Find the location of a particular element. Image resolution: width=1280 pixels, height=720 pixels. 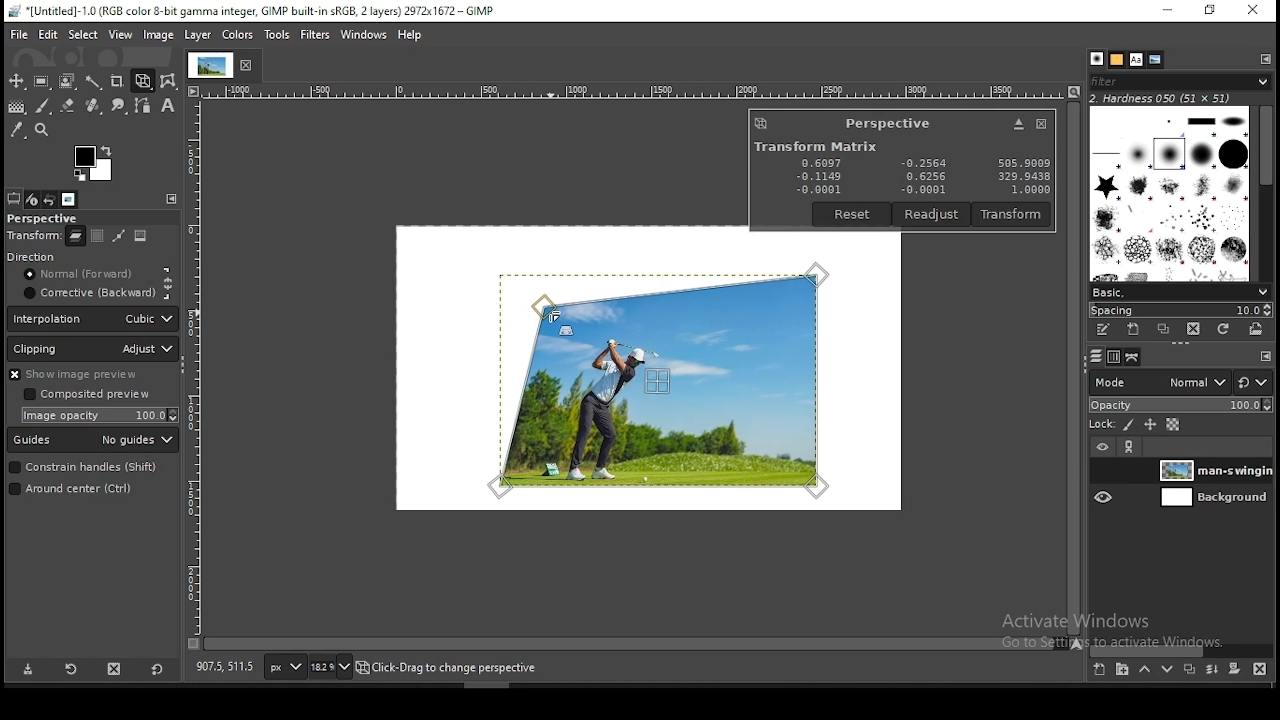

mouse pointer is located at coordinates (551, 316).